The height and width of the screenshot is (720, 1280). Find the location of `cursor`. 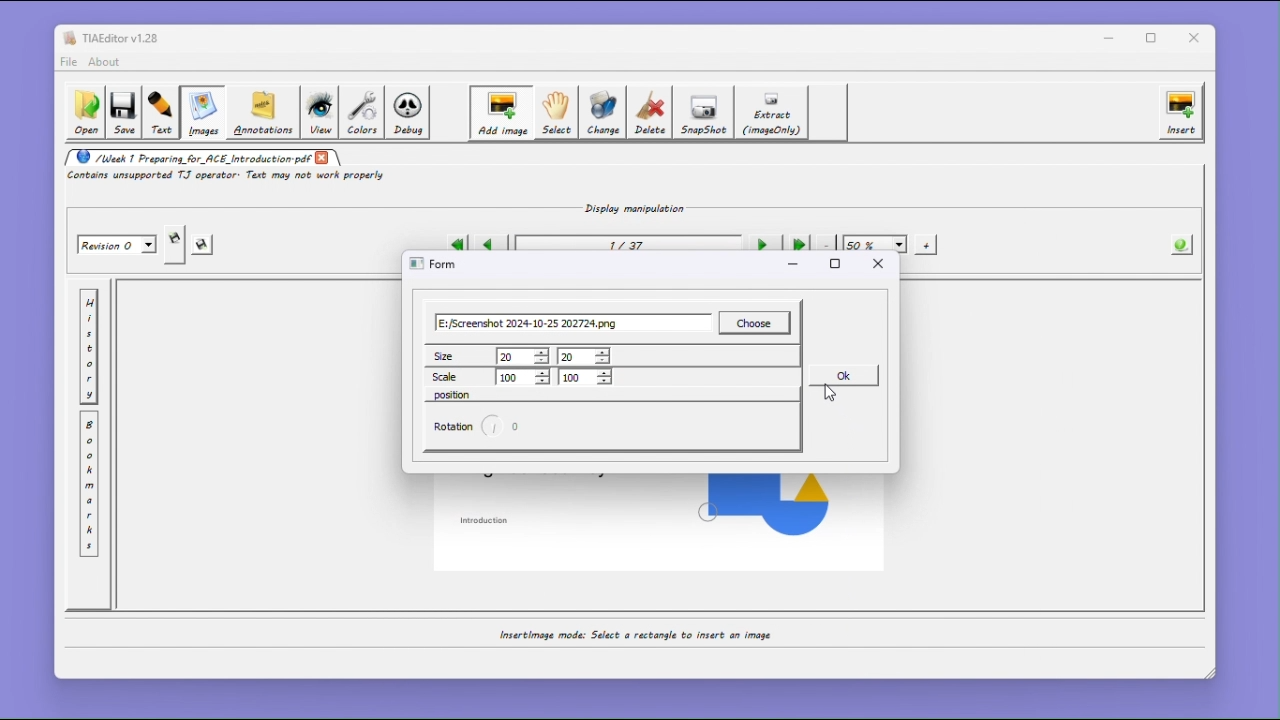

cursor is located at coordinates (831, 395).